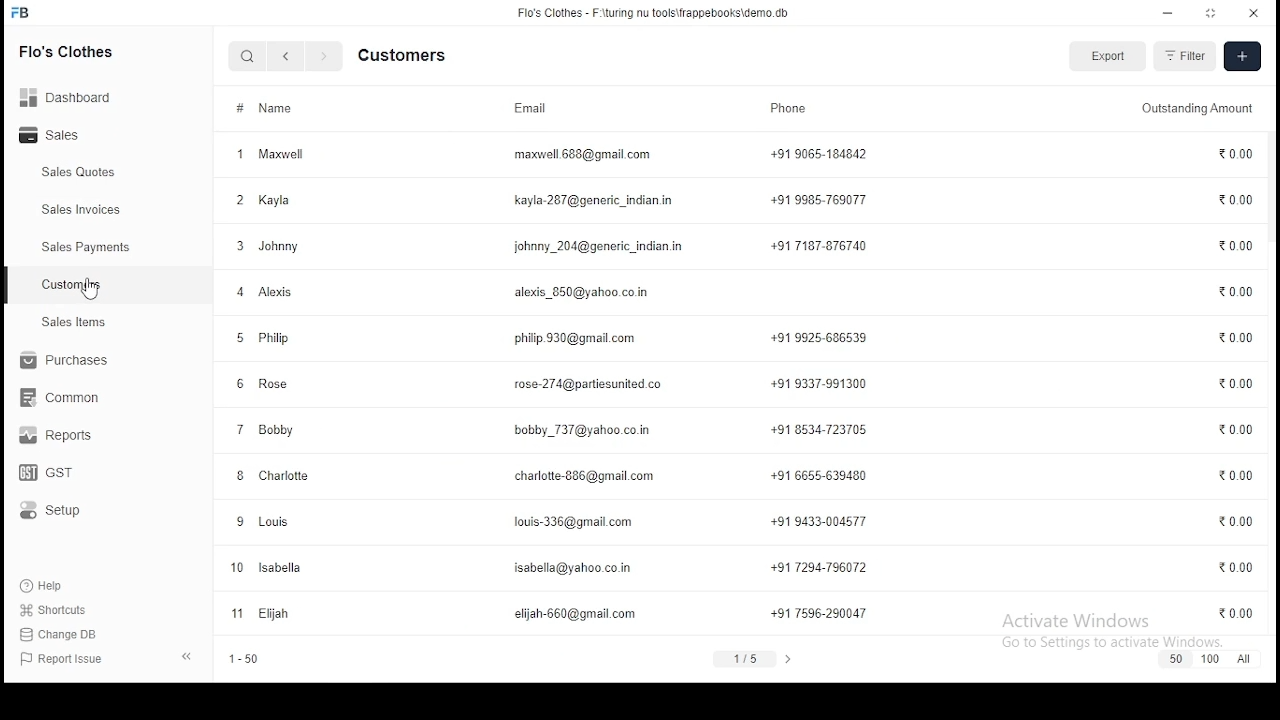 Image resolution: width=1280 pixels, height=720 pixels. I want to click on Philip, so click(273, 339).